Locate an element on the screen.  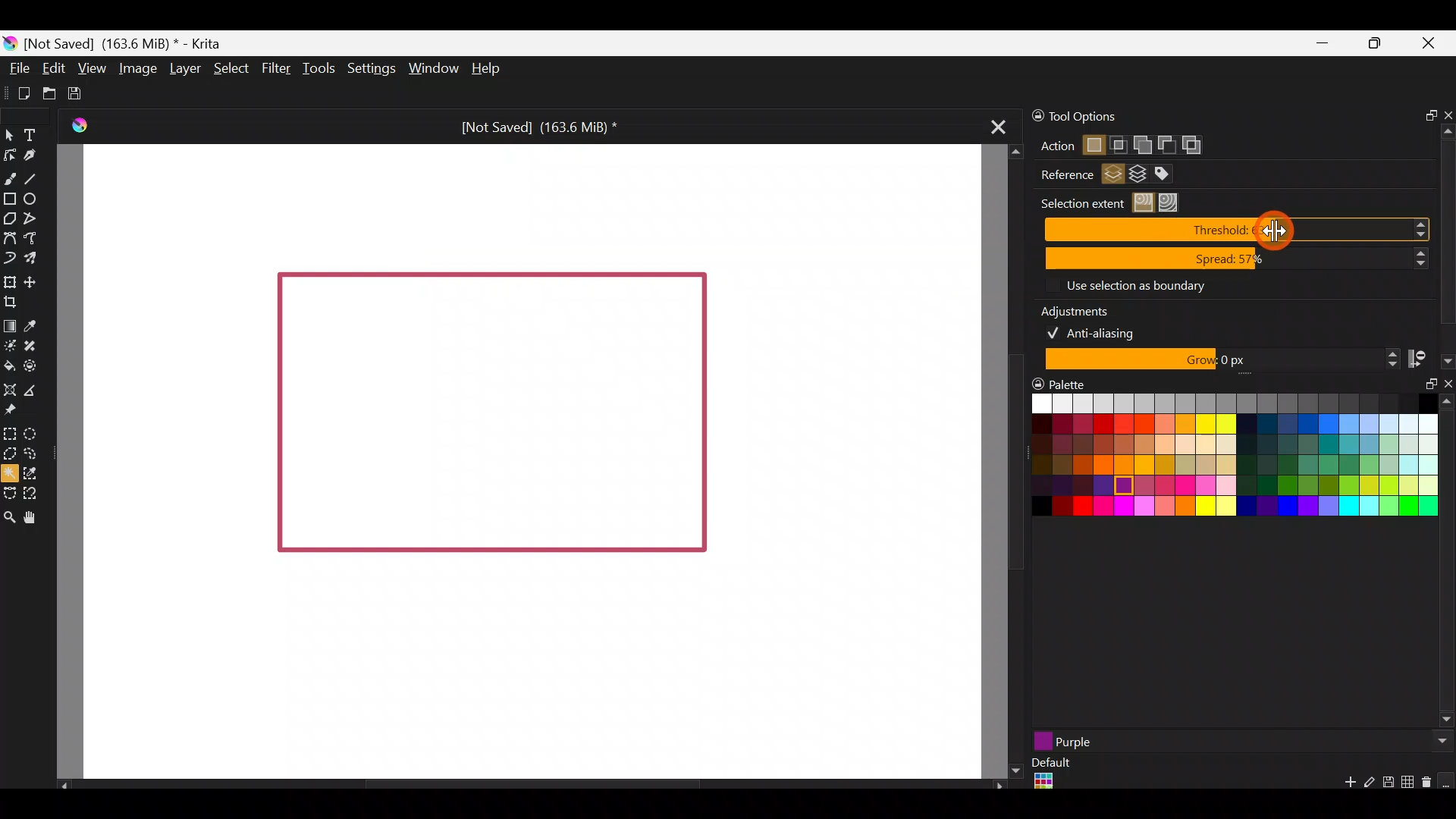
Freehand path tool is located at coordinates (34, 237).